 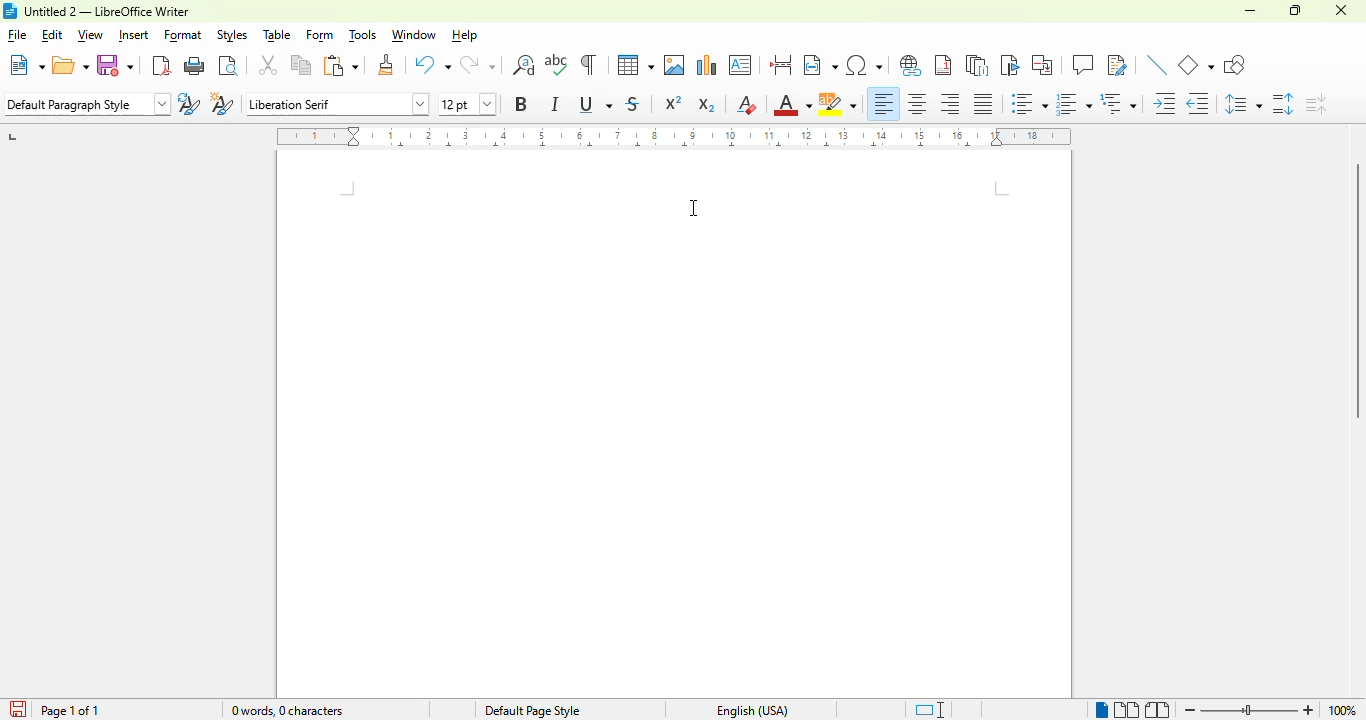 What do you see at coordinates (674, 65) in the screenshot?
I see `insert image` at bounding box center [674, 65].